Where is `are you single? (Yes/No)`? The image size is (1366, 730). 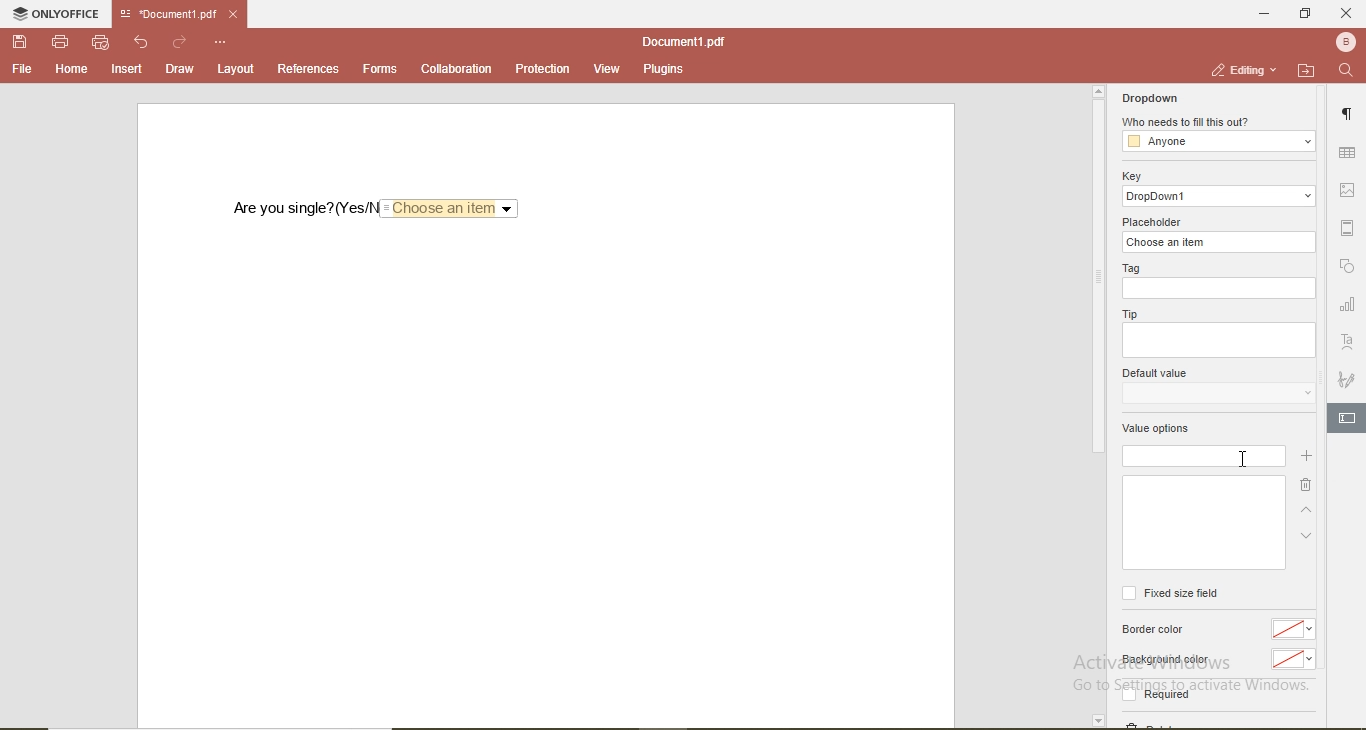
are you single? (Yes/No) is located at coordinates (304, 209).